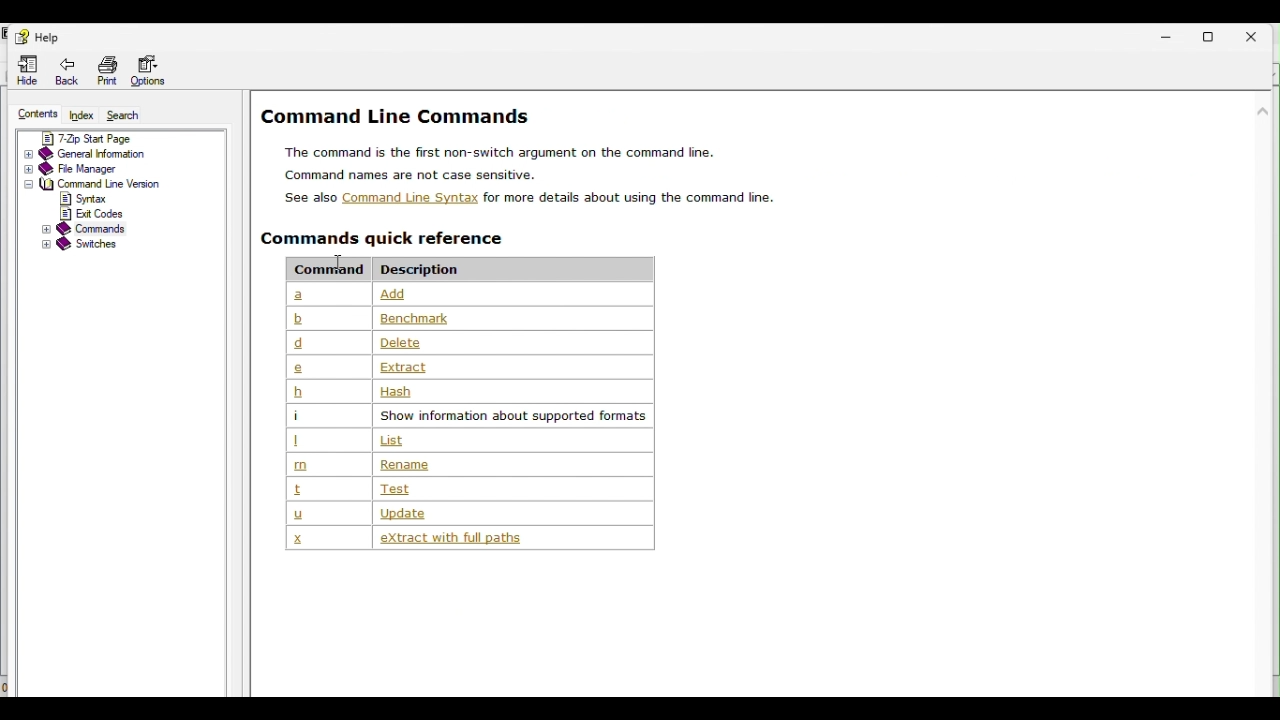 Image resolution: width=1280 pixels, height=720 pixels. What do you see at coordinates (108, 71) in the screenshot?
I see `Print` at bounding box center [108, 71].